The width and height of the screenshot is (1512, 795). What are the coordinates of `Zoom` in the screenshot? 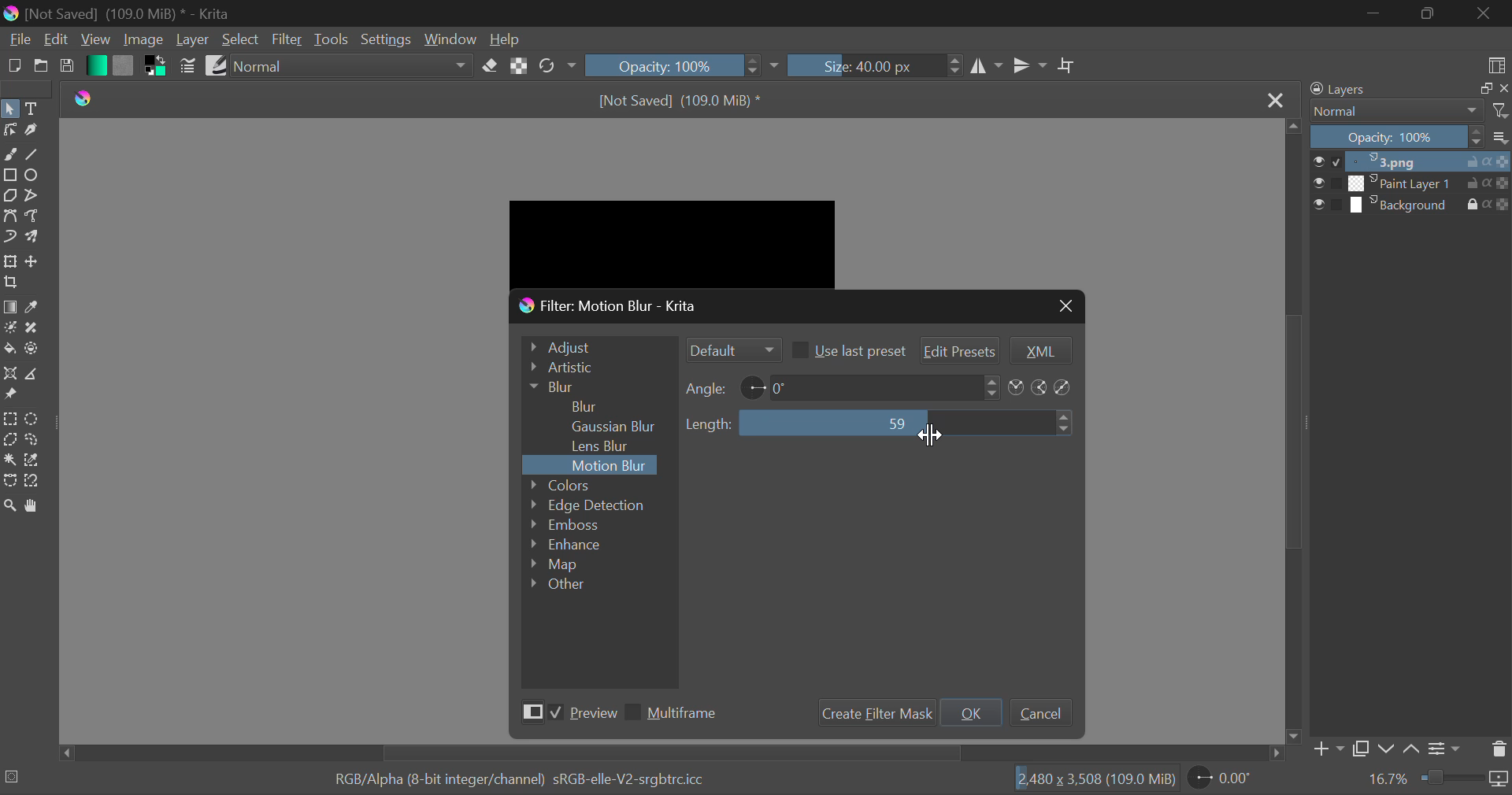 It's located at (13, 508).